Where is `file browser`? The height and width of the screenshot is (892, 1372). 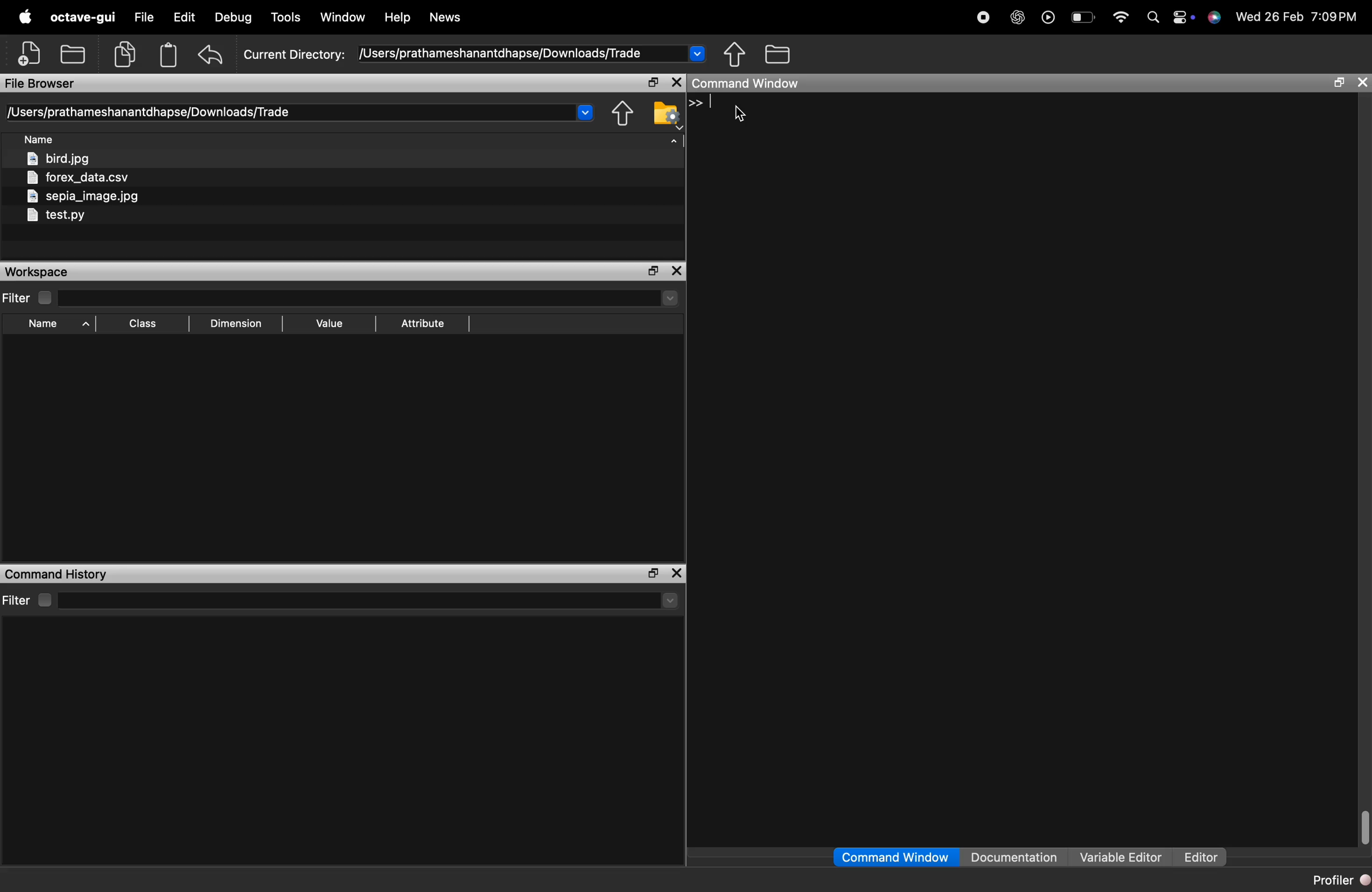 file browser is located at coordinates (47, 84).